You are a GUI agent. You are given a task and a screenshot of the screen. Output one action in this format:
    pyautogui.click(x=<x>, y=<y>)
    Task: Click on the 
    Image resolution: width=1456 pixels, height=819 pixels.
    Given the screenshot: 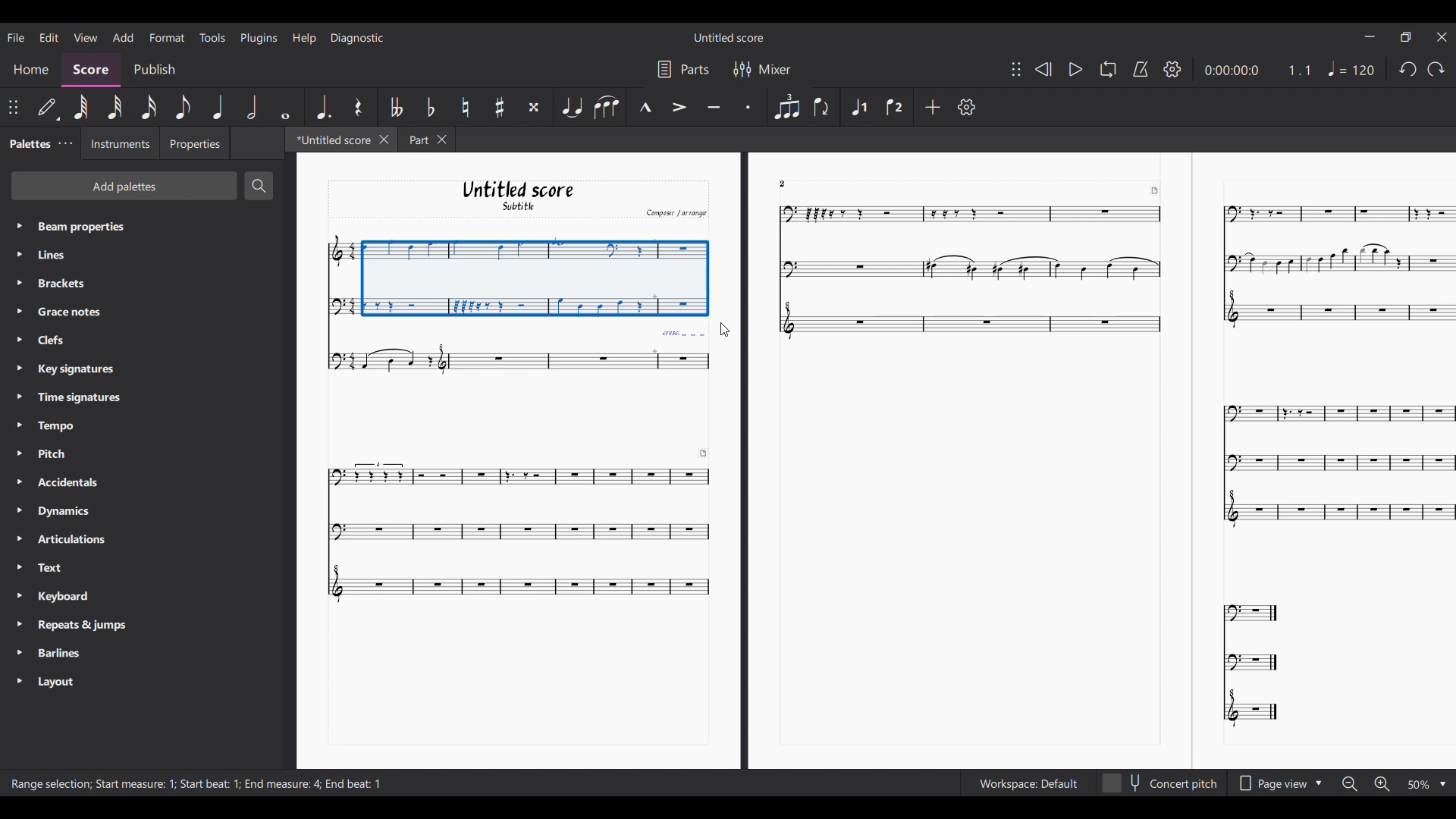 What is the action you would take?
    pyautogui.click(x=522, y=475)
    